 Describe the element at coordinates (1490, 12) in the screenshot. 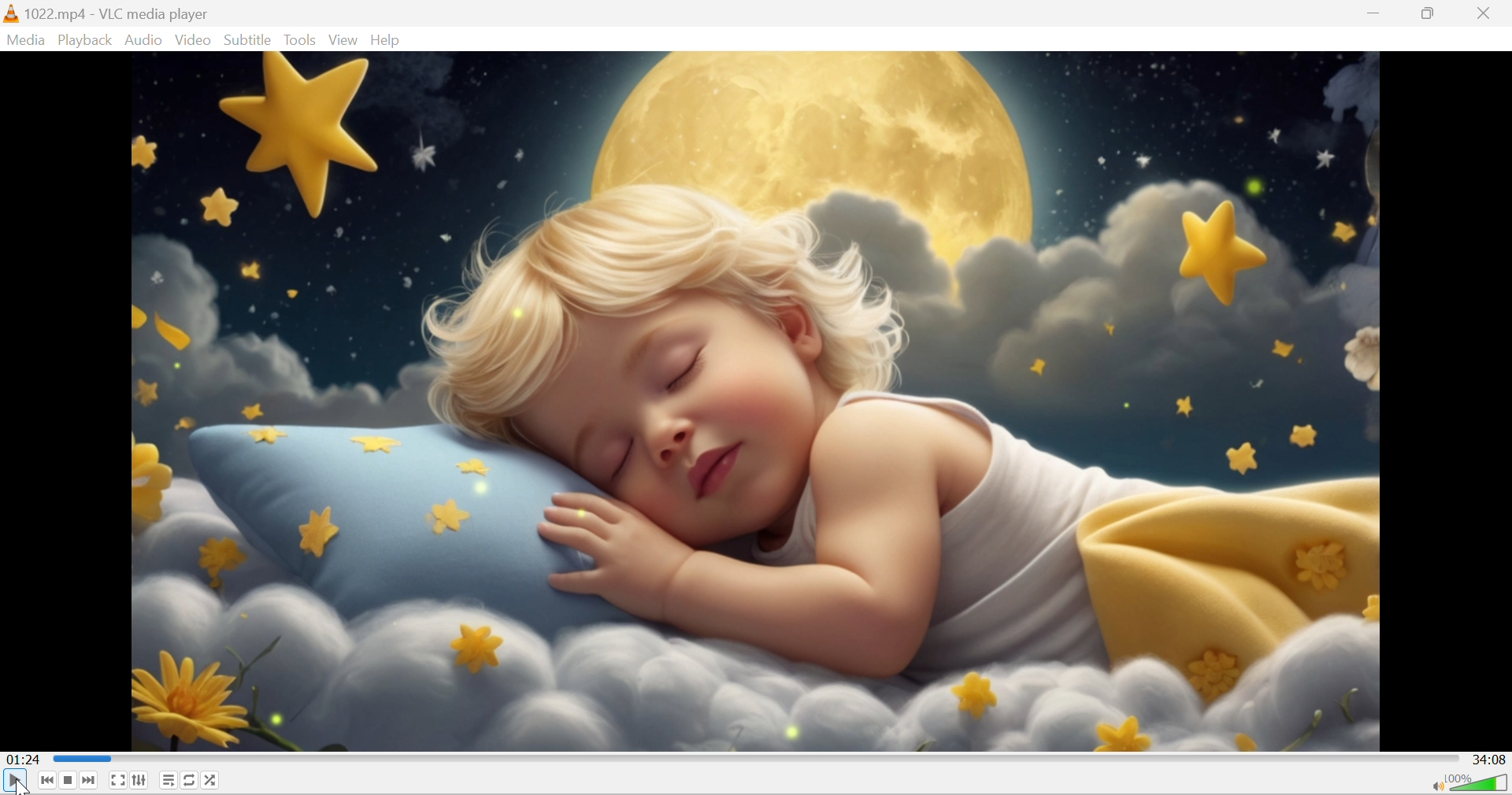

I see `Close` at that location.